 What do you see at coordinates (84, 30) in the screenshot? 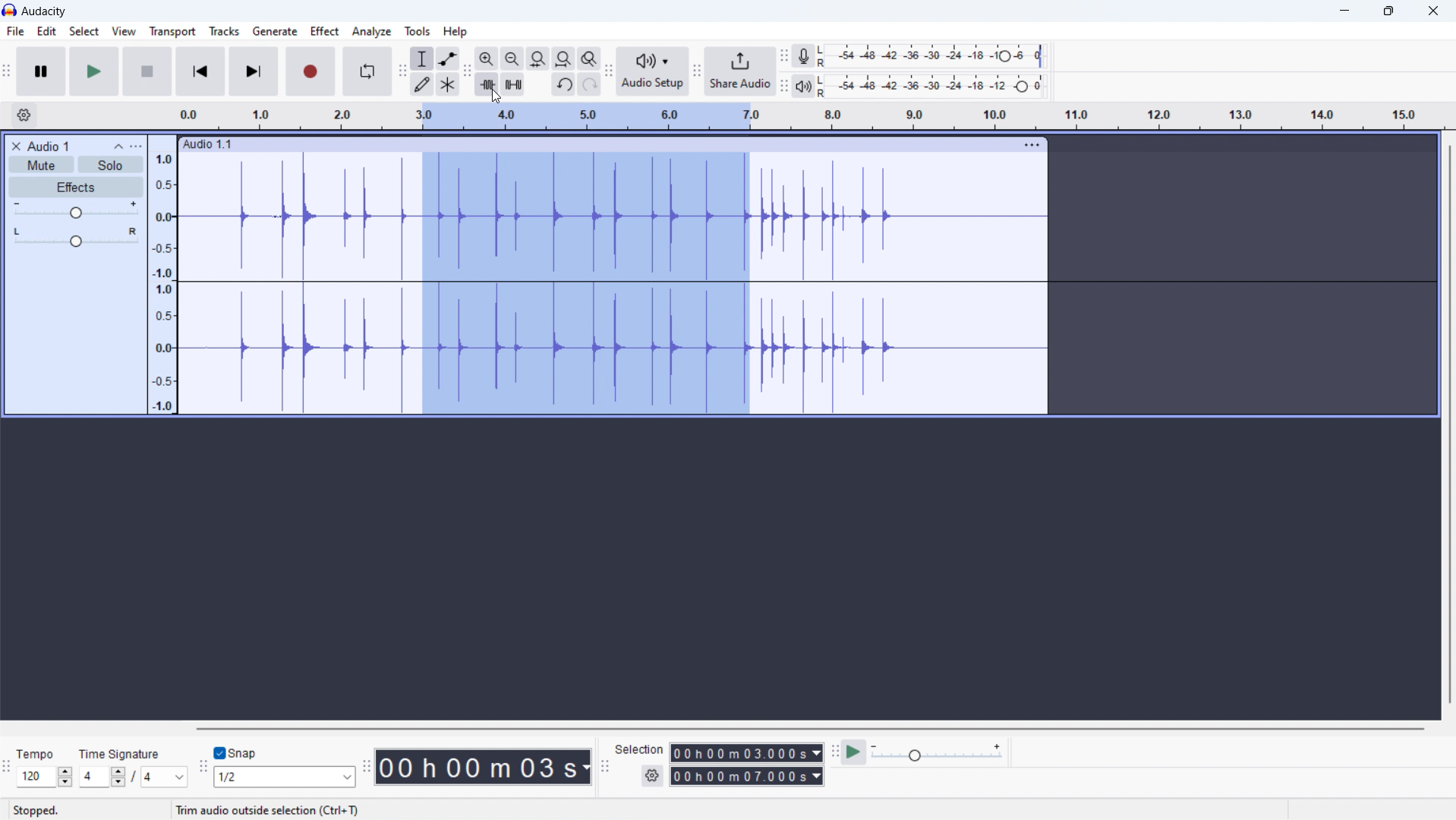
I see `select` at bounding box center [84, 30].